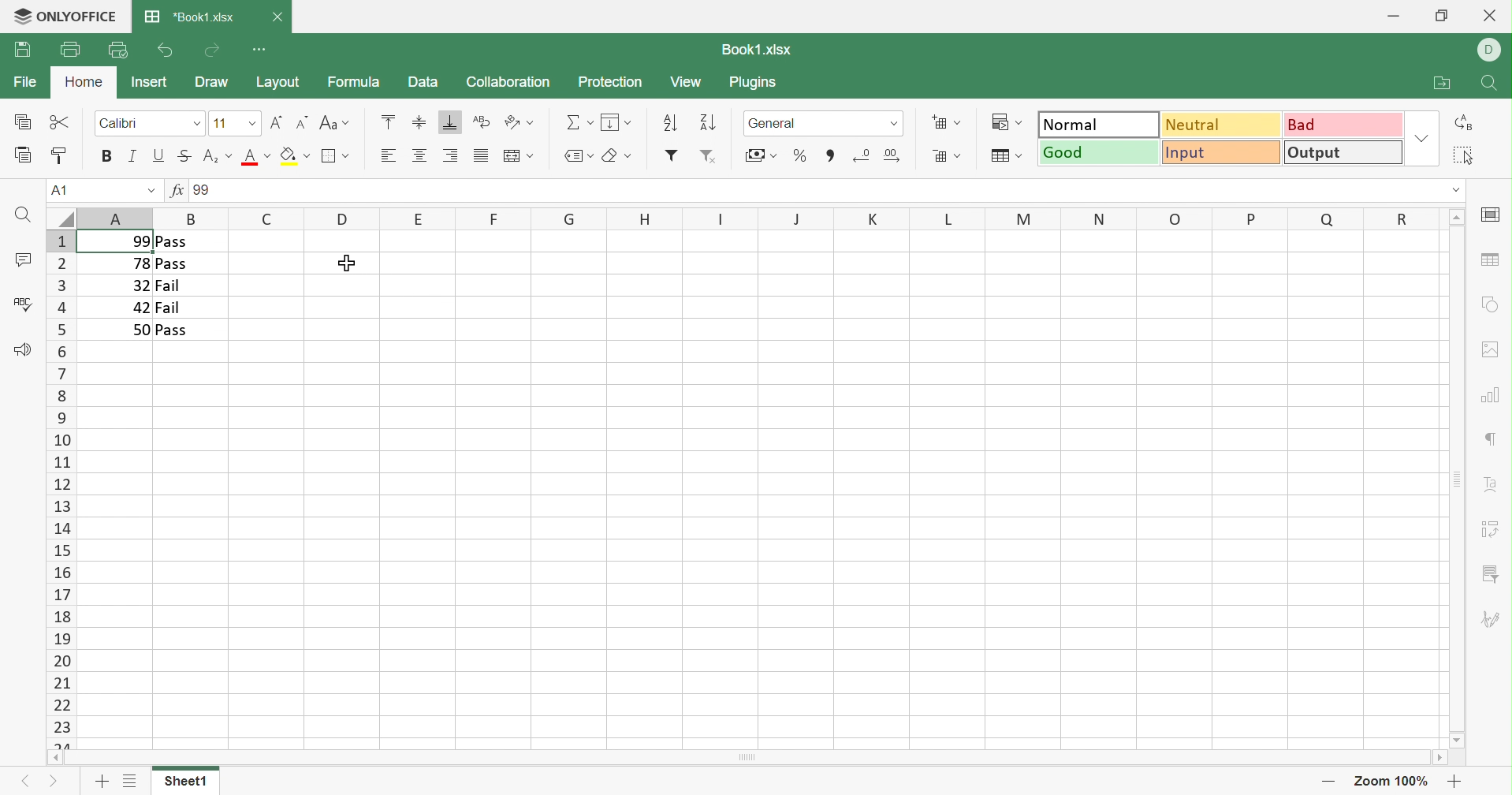 The height and width of the screenshot is (795, 1512). What do you see at coordinates (761, 218) in the screenshot?
I see `Column names` at bounding box center [761, 218].